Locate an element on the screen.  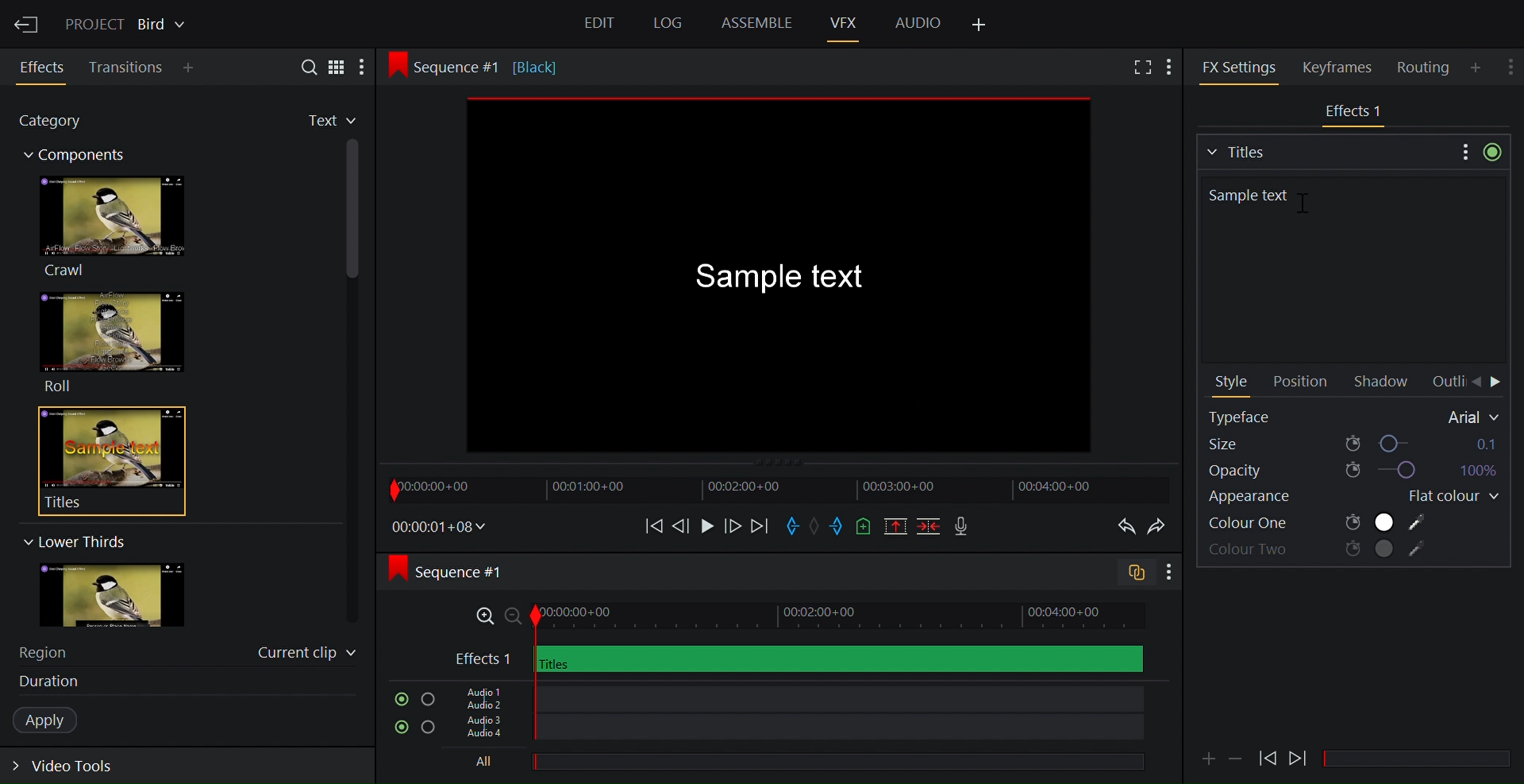
Play is located at coordinates (706, 525).